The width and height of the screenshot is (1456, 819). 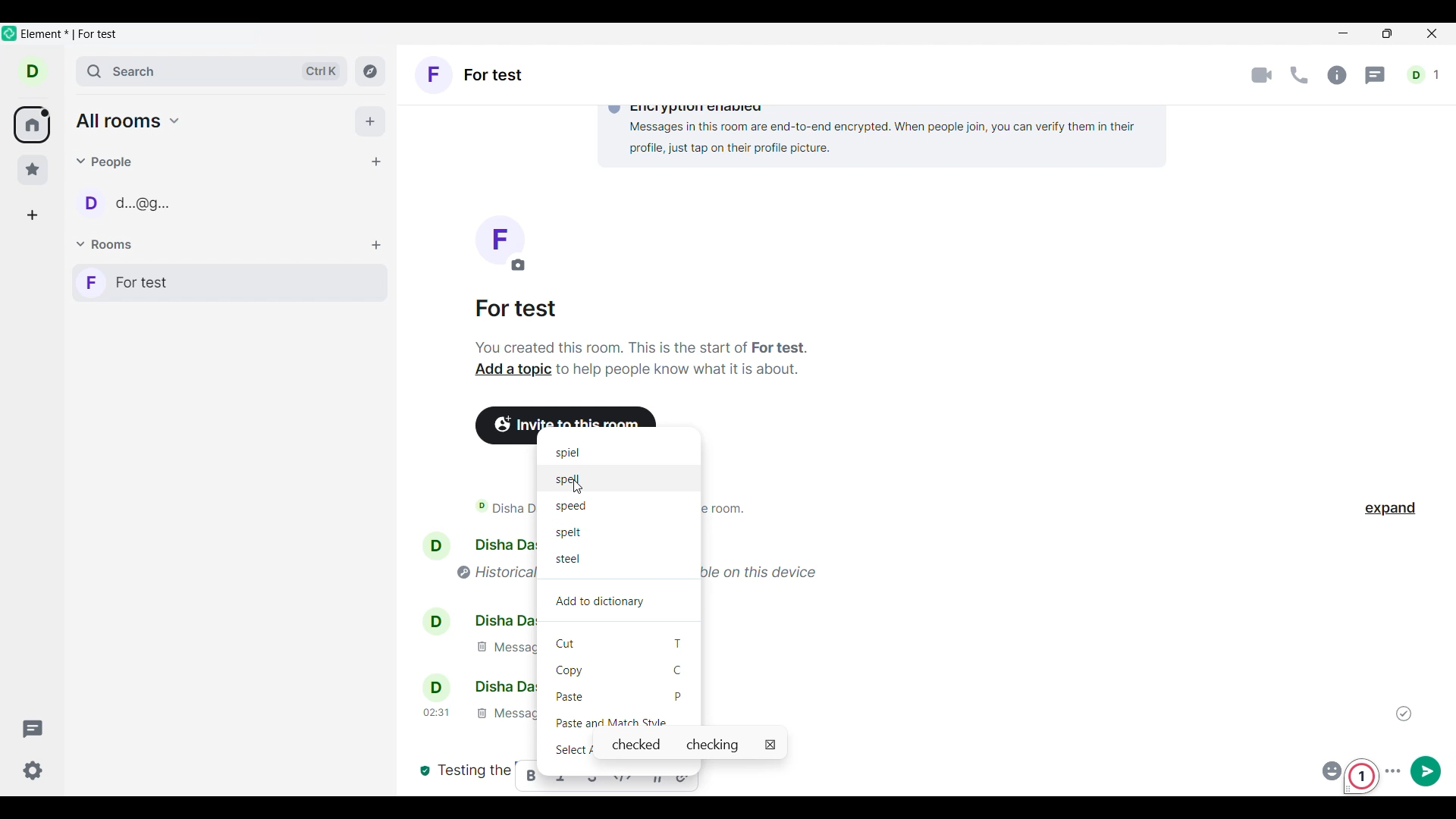 I want to click on Minimize, so click(x=1344, y=33).